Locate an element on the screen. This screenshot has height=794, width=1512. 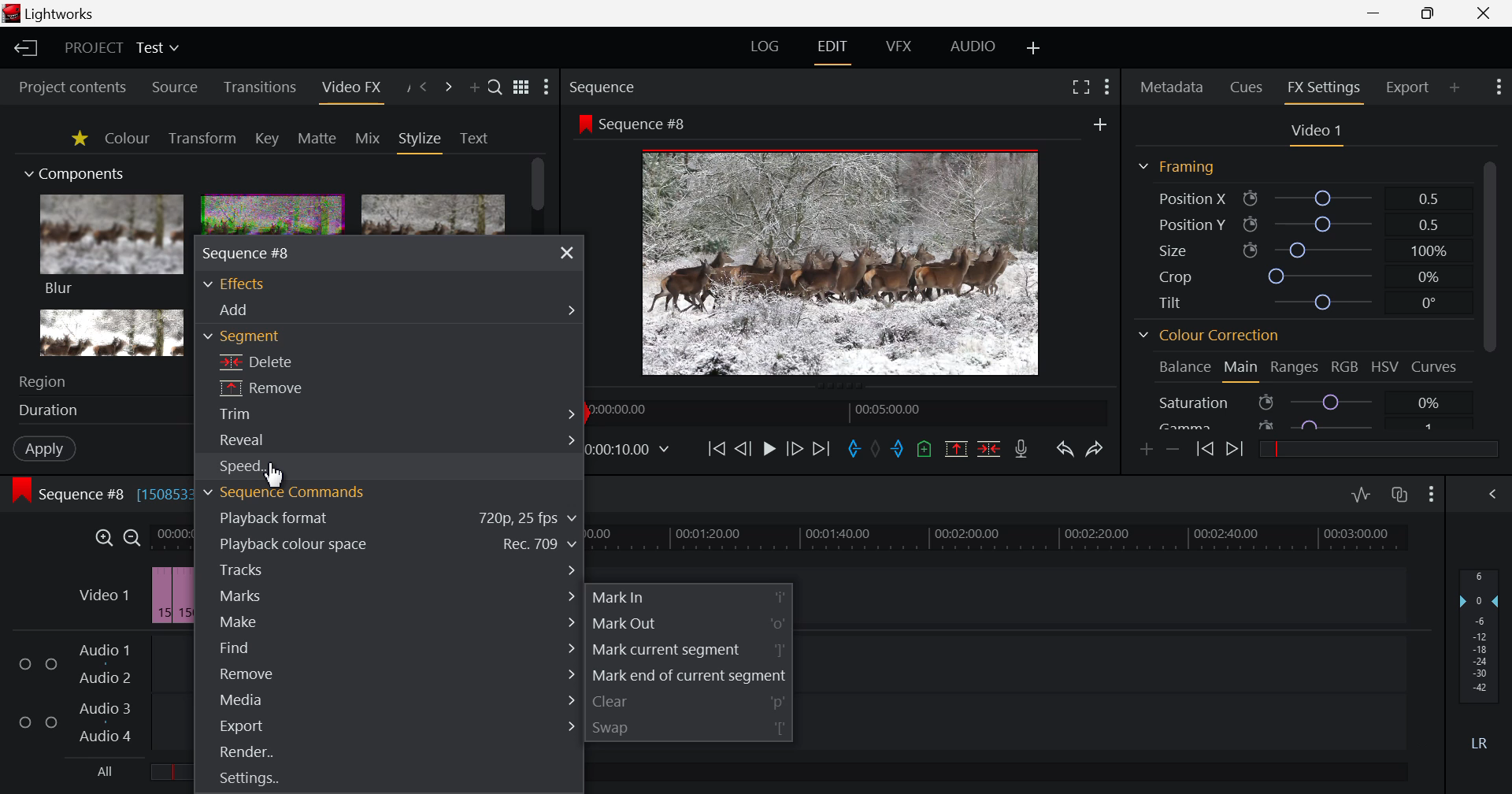
Swap is located at coordinates (691, 725).